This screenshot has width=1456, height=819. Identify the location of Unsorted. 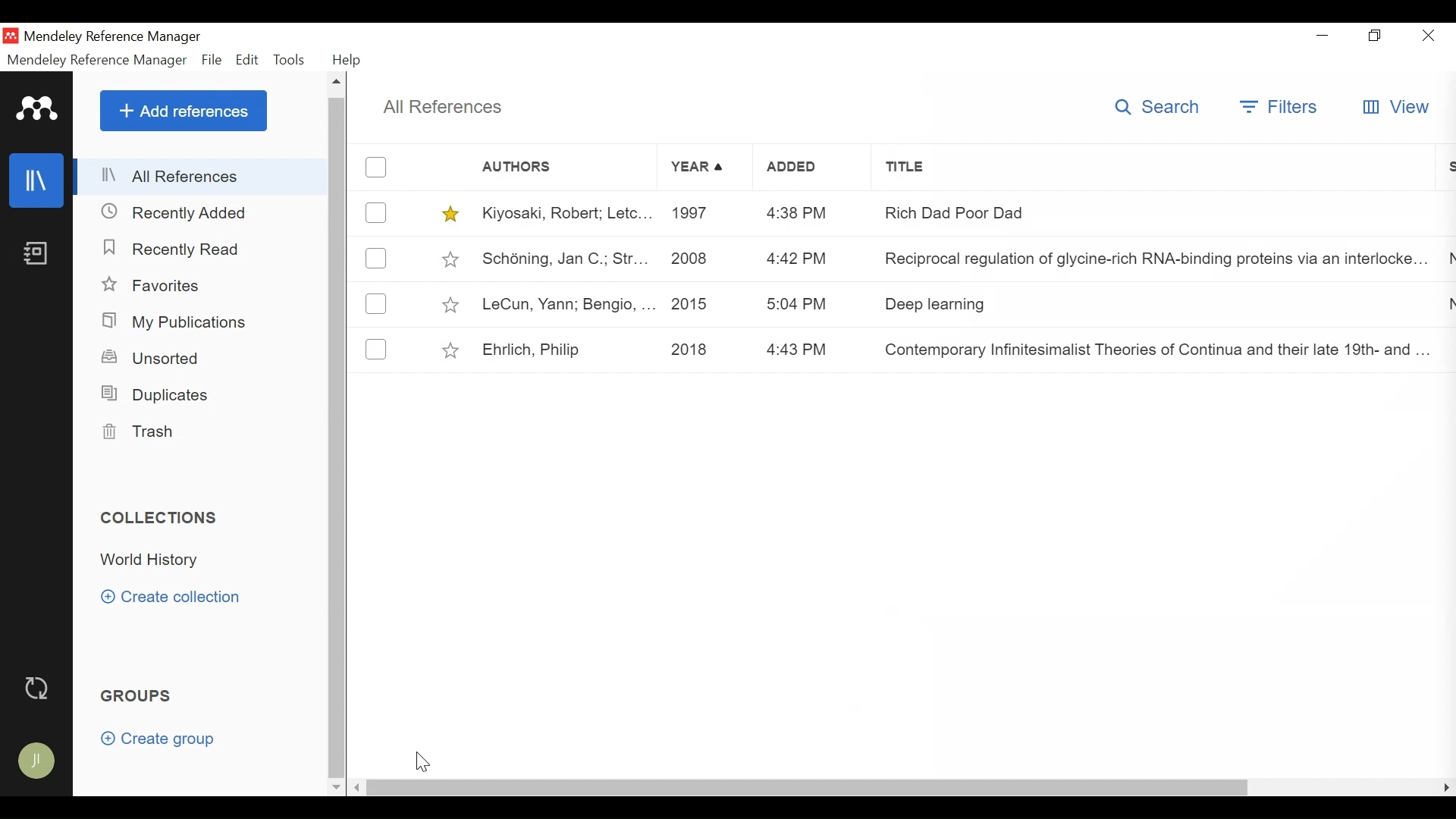
(152, 357).